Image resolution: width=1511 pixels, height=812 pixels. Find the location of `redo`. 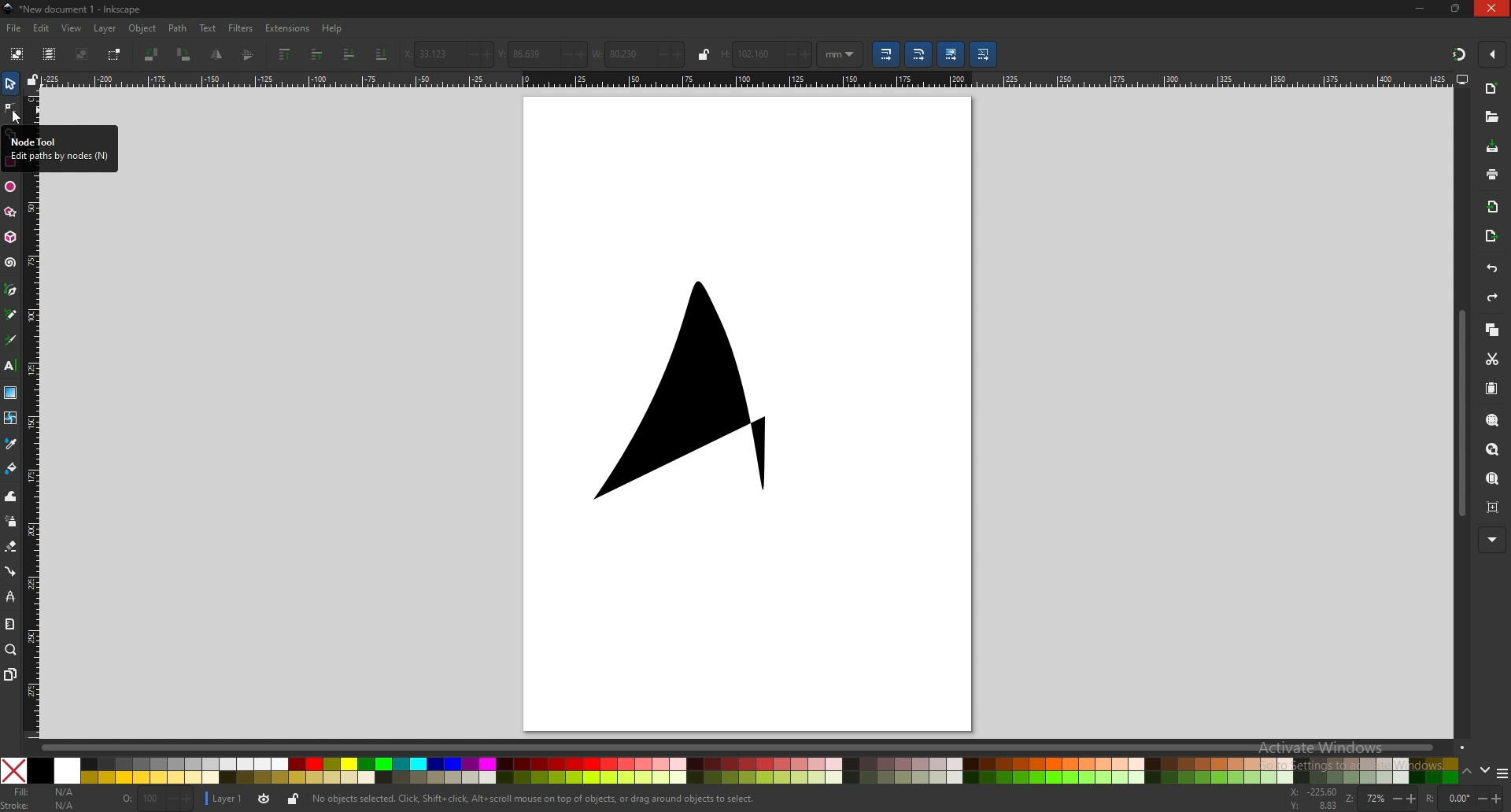

redo is located at coordinates (1492, 297).